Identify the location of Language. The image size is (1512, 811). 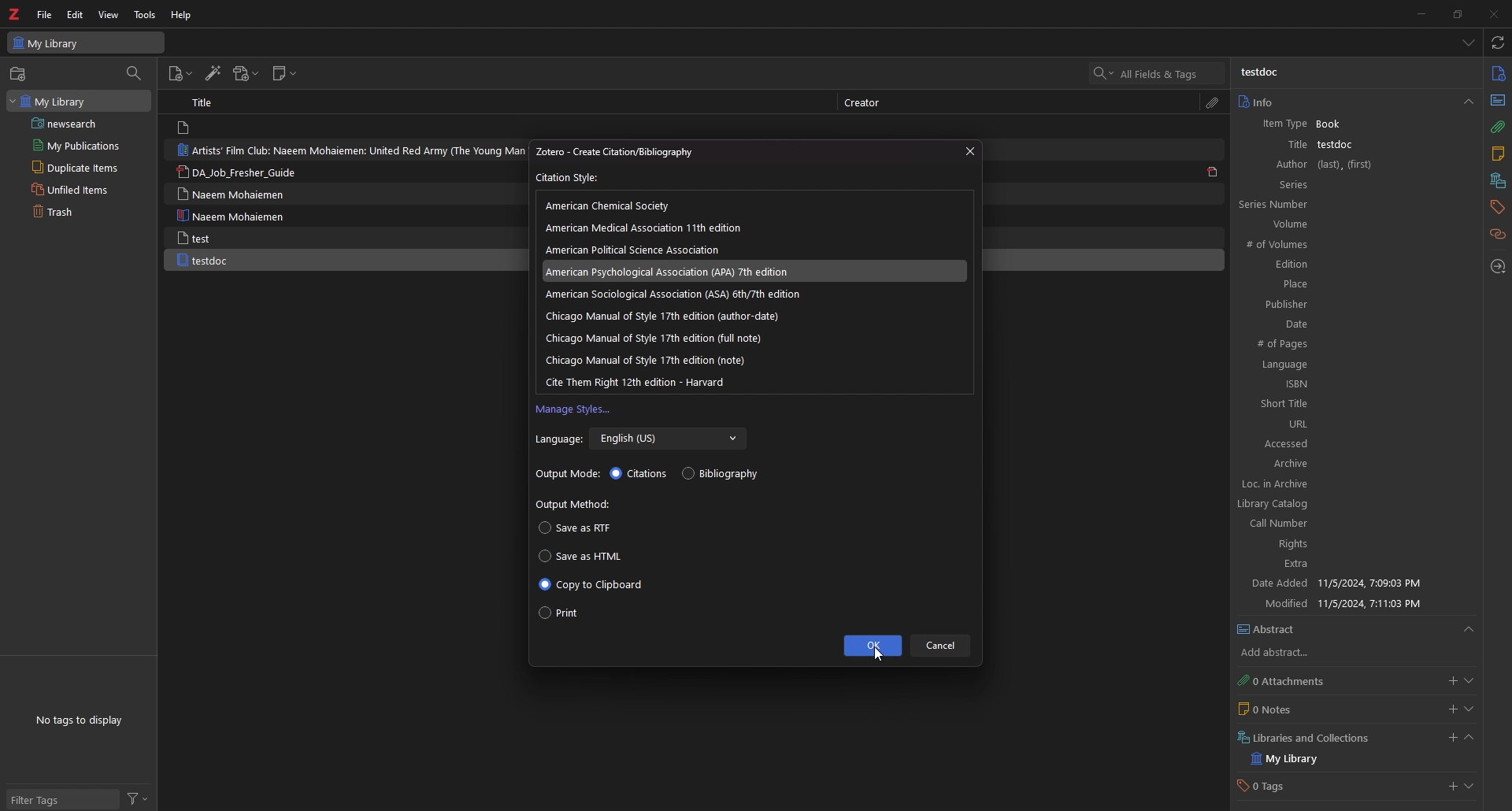
(558, 440).